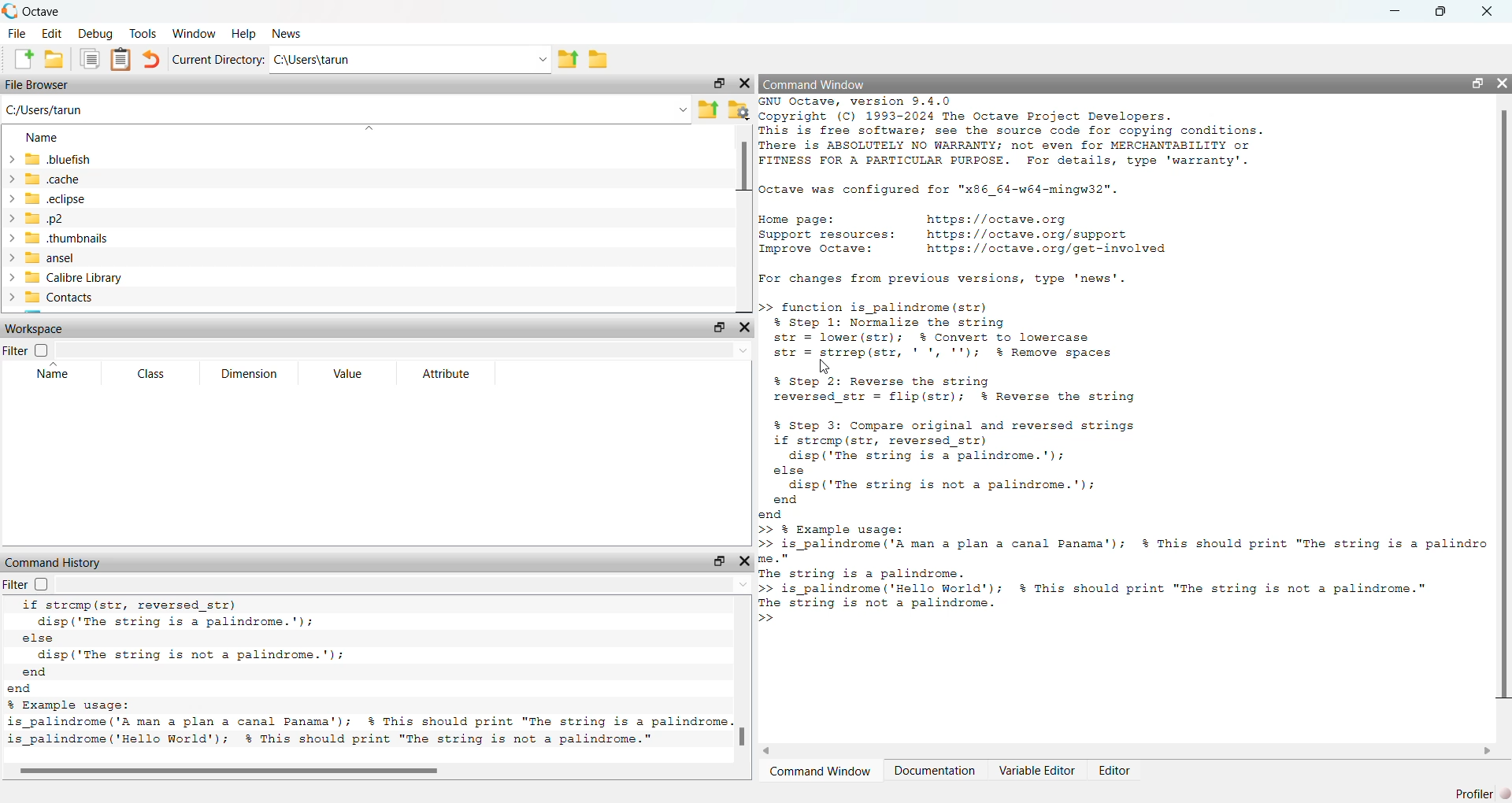 Image resolution: width=1512 pixels, height=803 pixels. What do you see at coordinates (57, 561) in the screenshot?
I see `command history` at bounding box center [57, 561].